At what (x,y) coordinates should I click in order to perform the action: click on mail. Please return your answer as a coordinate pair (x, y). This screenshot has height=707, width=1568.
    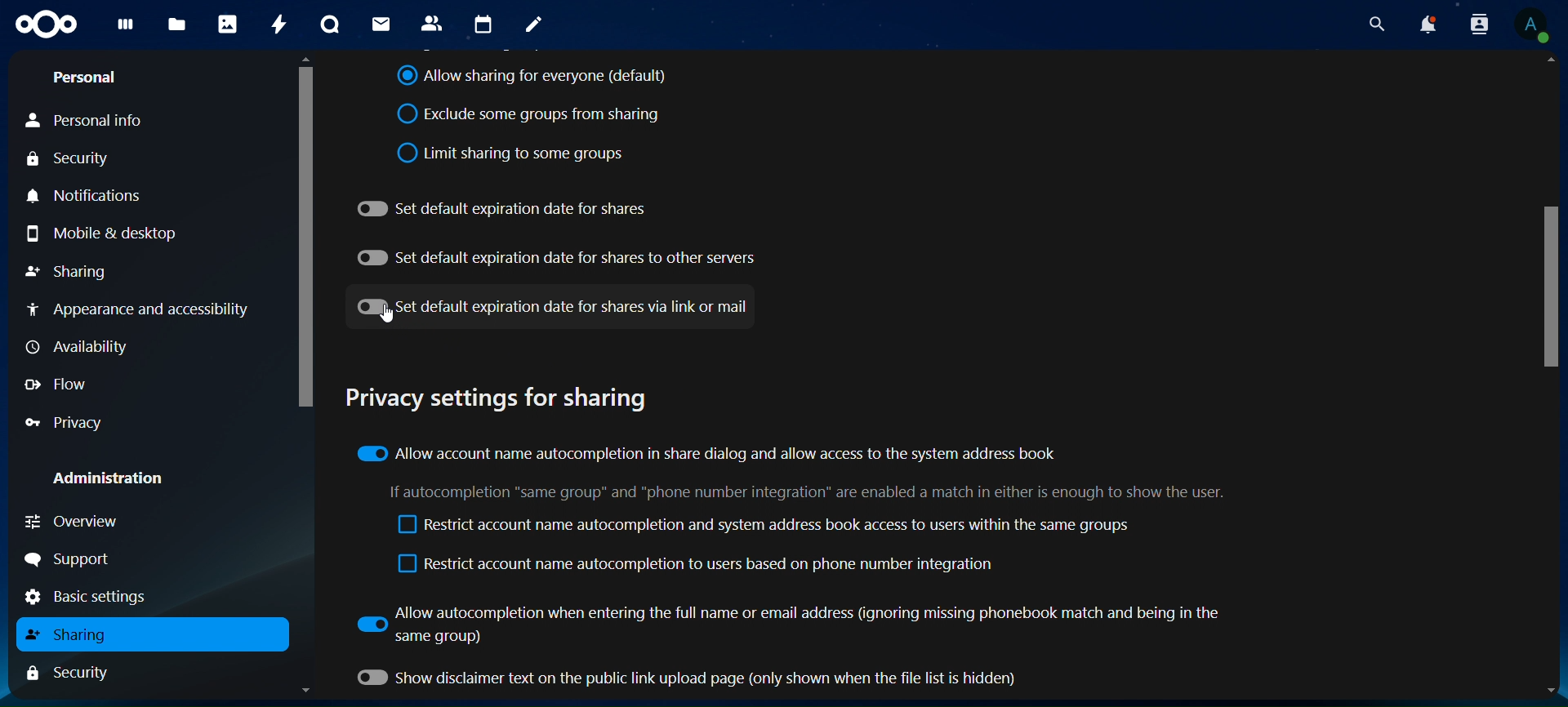
    Looking at the image, I should click on (378, 24).